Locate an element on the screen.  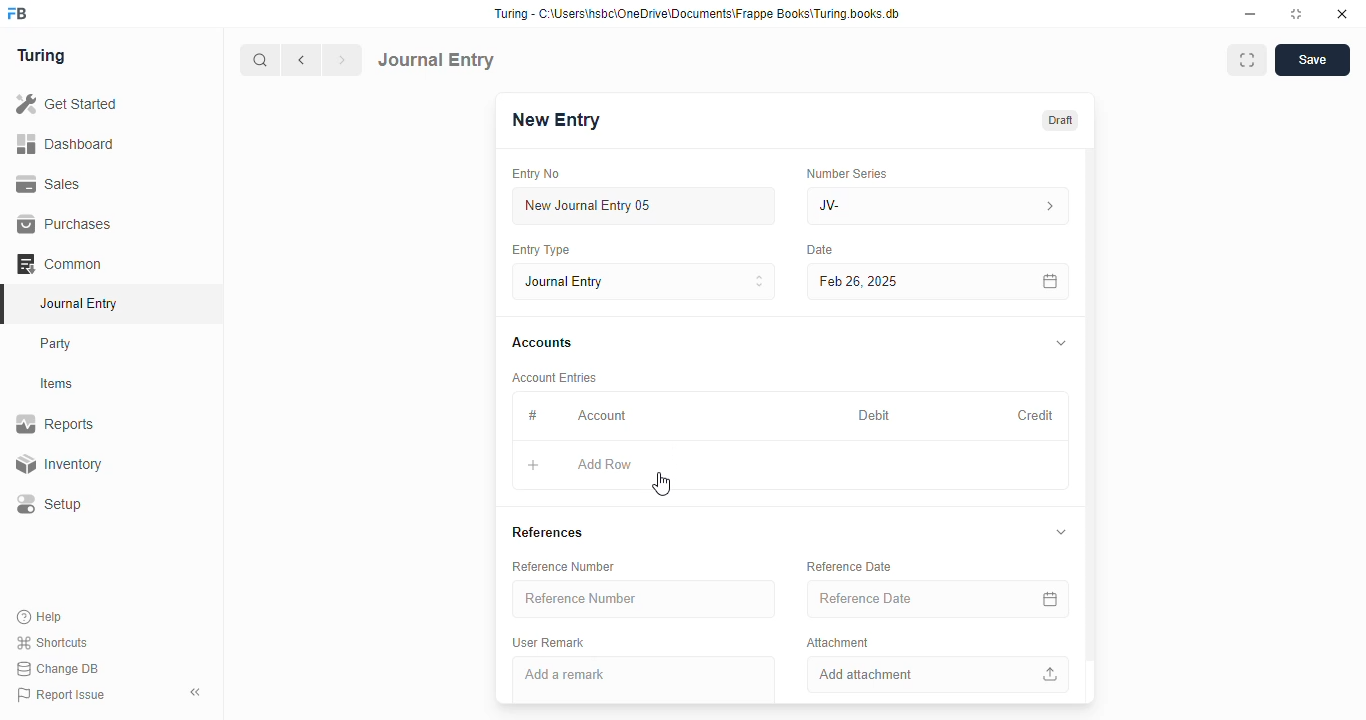
common is located at coordinates (61, 264).